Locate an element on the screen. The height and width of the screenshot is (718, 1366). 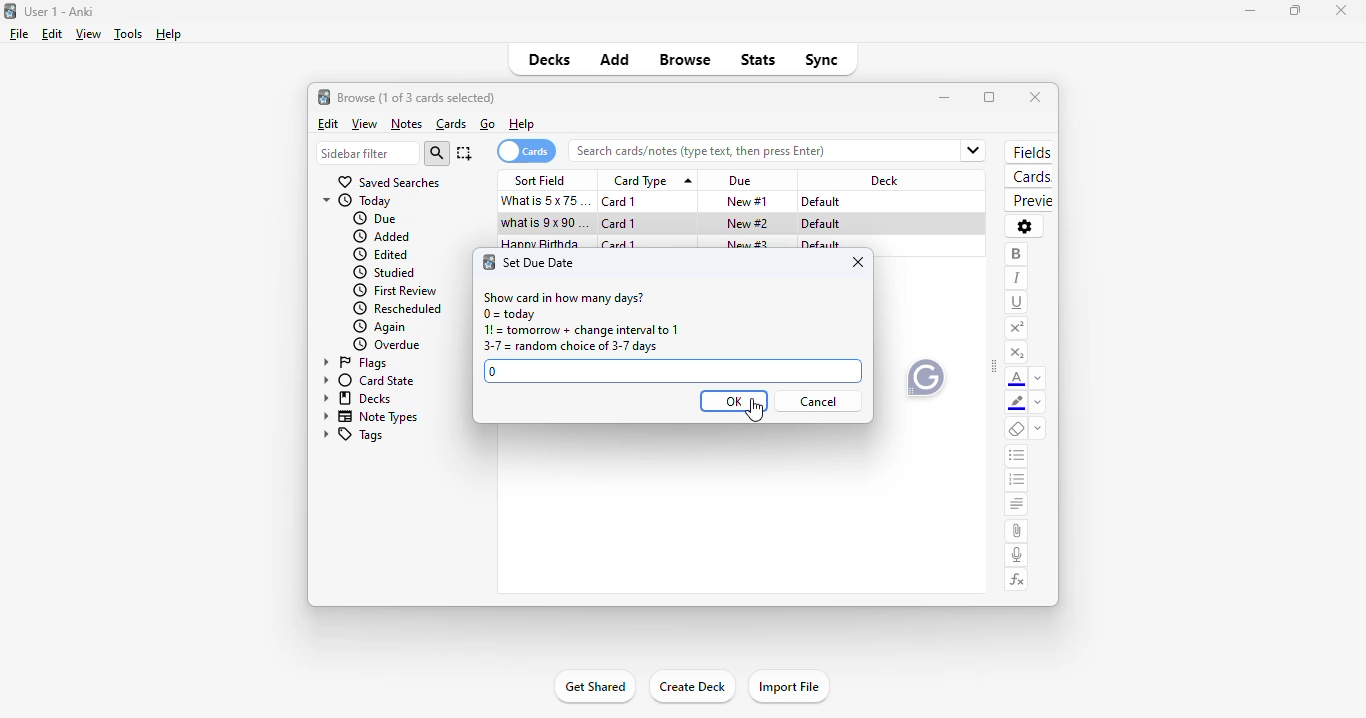
create deck is located at coordinates (690, 685).